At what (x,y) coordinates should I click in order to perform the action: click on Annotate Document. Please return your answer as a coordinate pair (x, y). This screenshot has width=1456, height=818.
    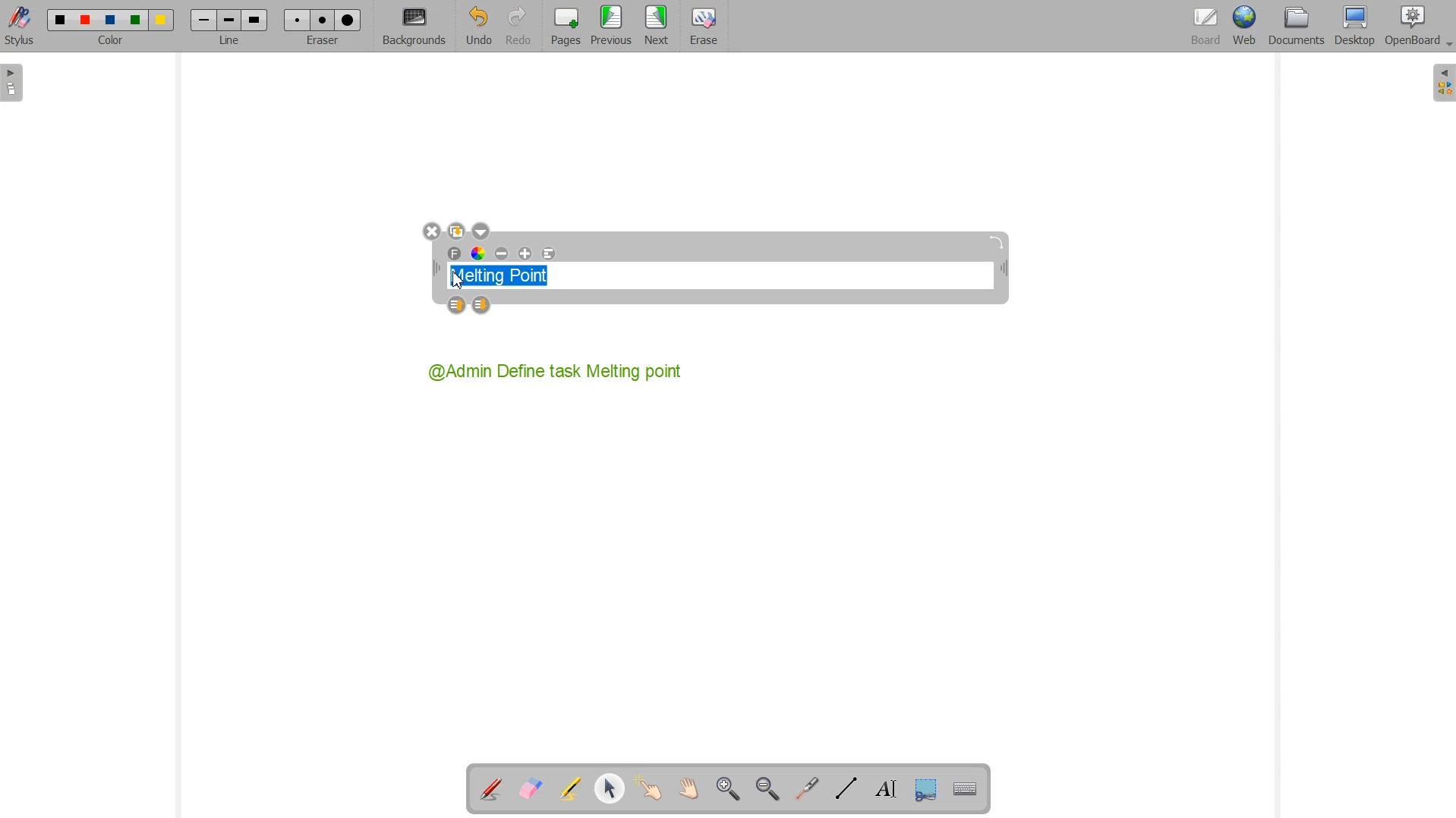
    Looking at the image, I should click on (490, 789).